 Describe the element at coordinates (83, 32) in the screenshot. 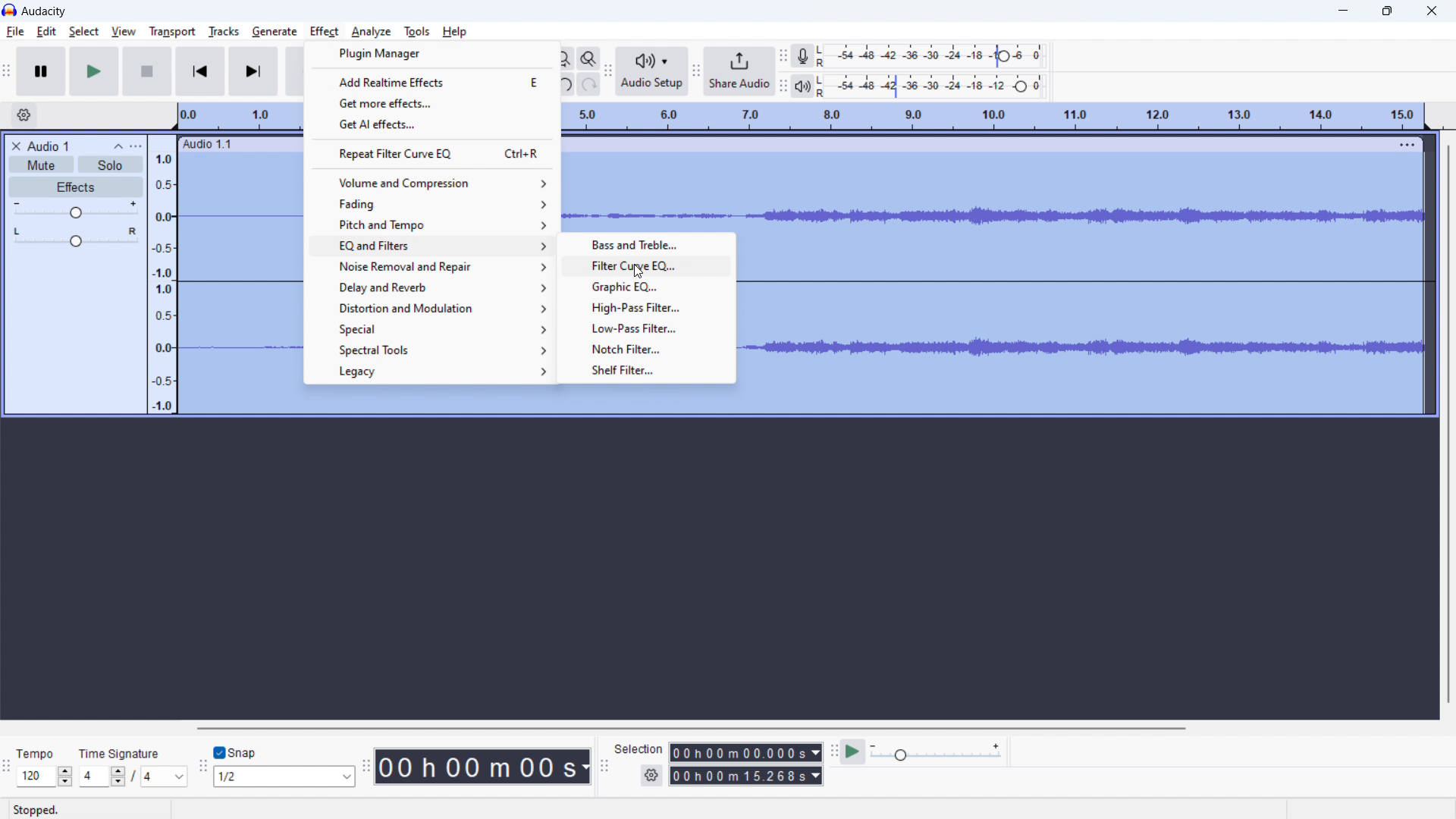

I see `select` at that location.